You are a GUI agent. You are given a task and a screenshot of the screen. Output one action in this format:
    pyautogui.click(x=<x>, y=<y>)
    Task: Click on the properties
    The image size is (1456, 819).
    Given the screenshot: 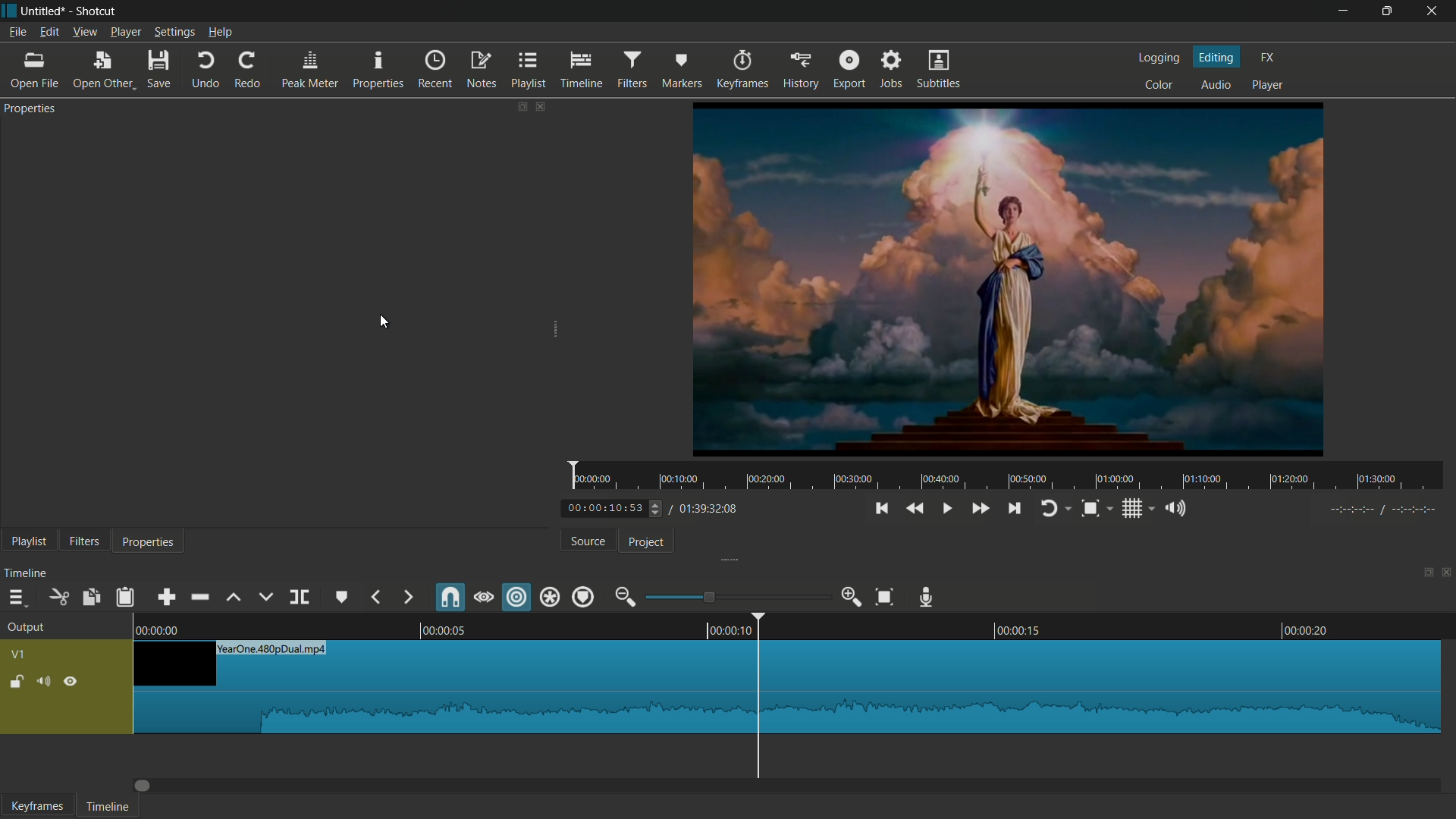 What is the action you would take?
    pyautogui.click(x=380, y=69)
    